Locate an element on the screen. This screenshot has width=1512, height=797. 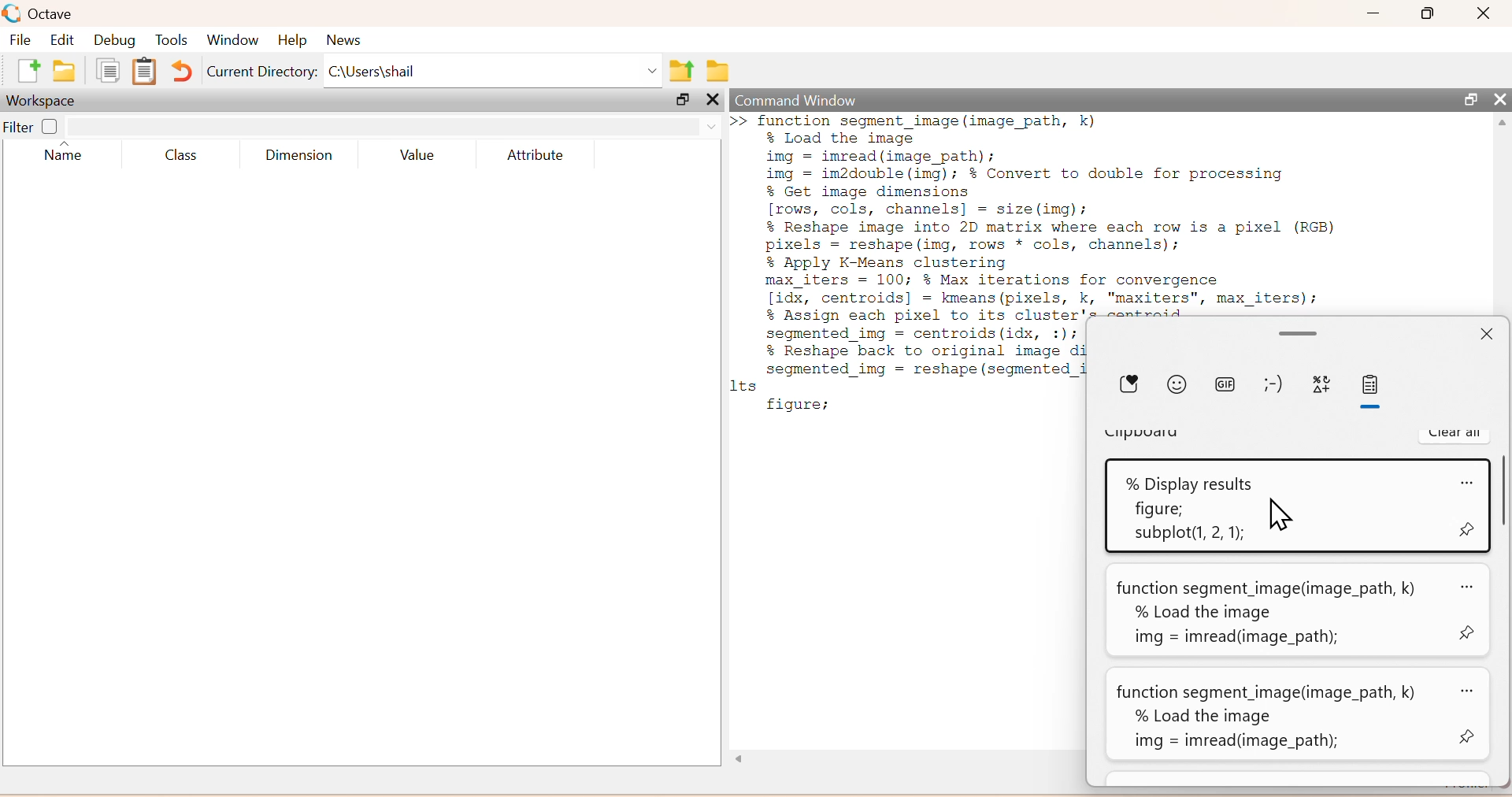
% Display results <0figure;subplot(1, 2, 1);  is located at coordinates (1295, 505).